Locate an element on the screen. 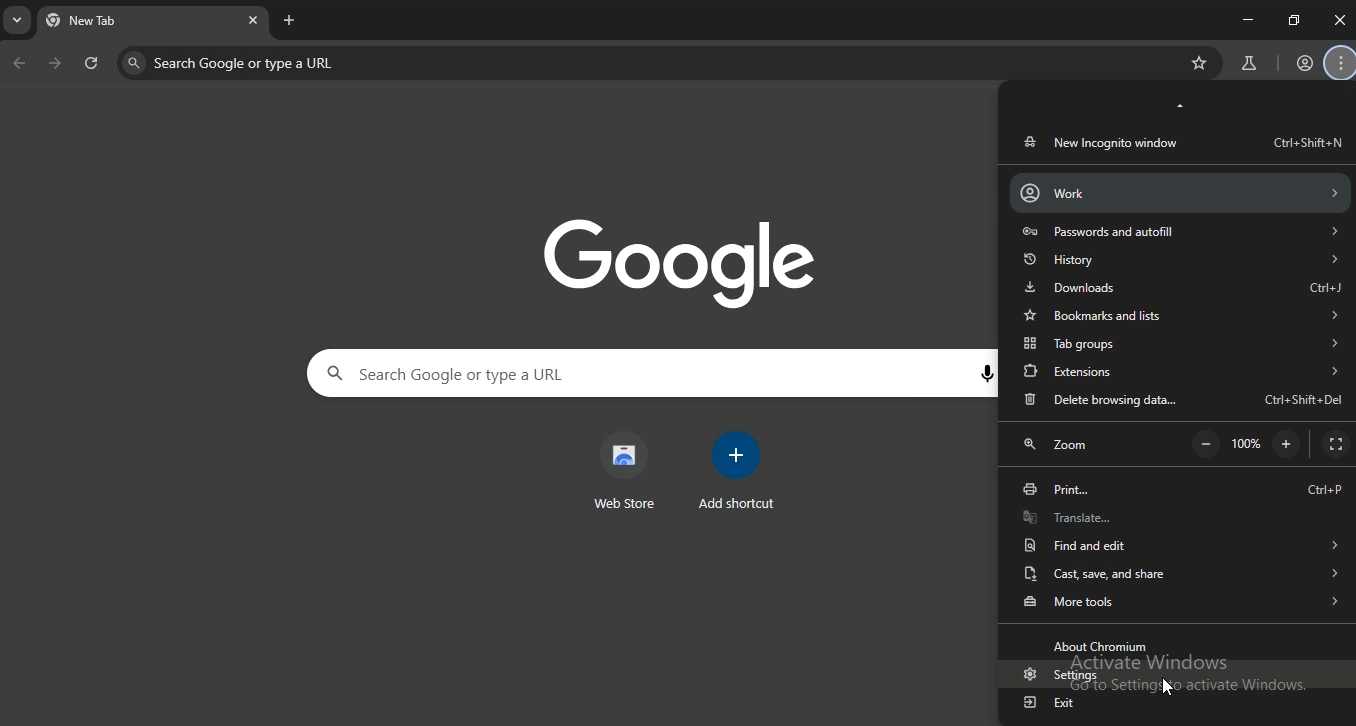 The width and height of the screenshot is (1356, 726). translate is located at coordinates (1177, 516).